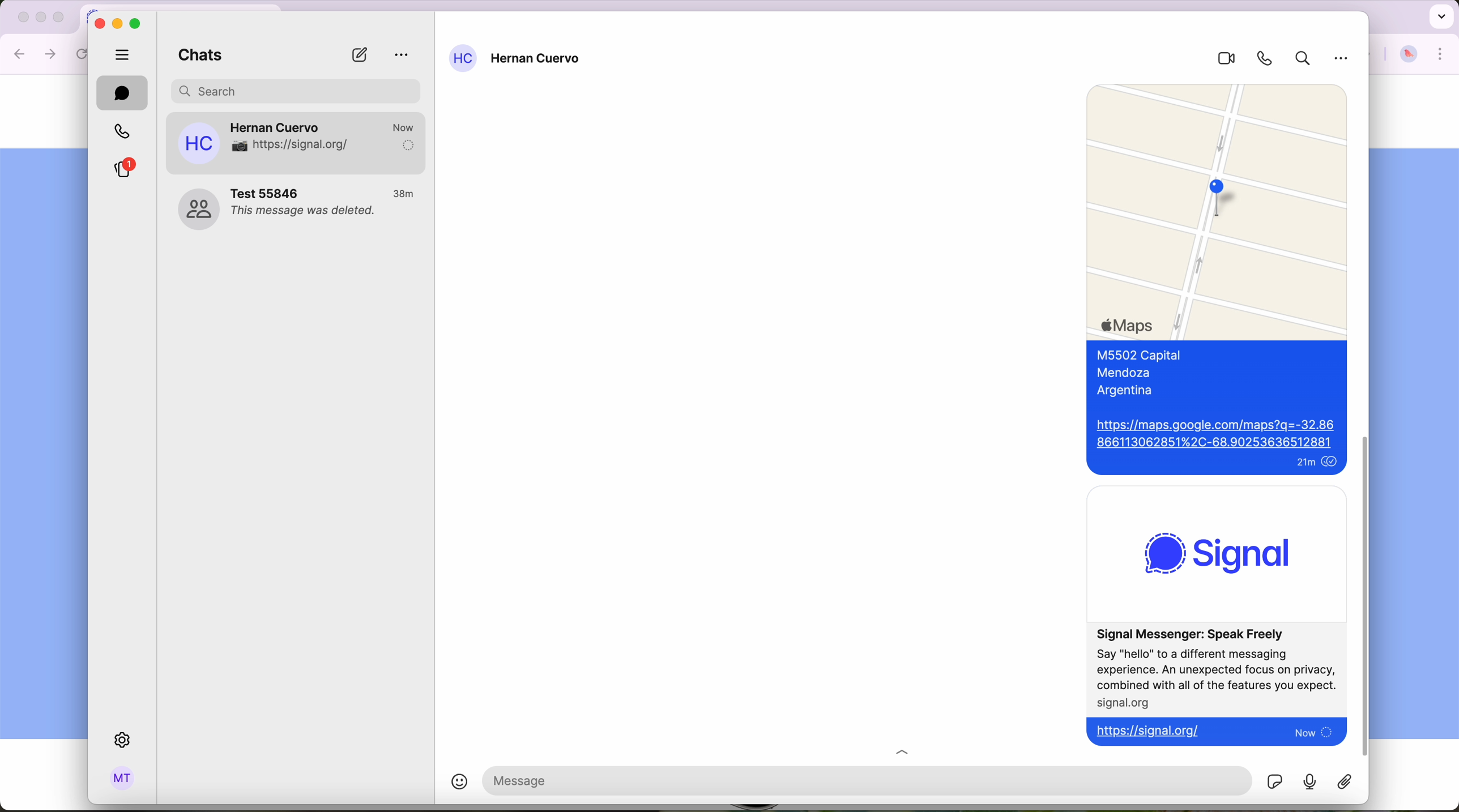  I want to click on signal logo, so click(1226, 551).